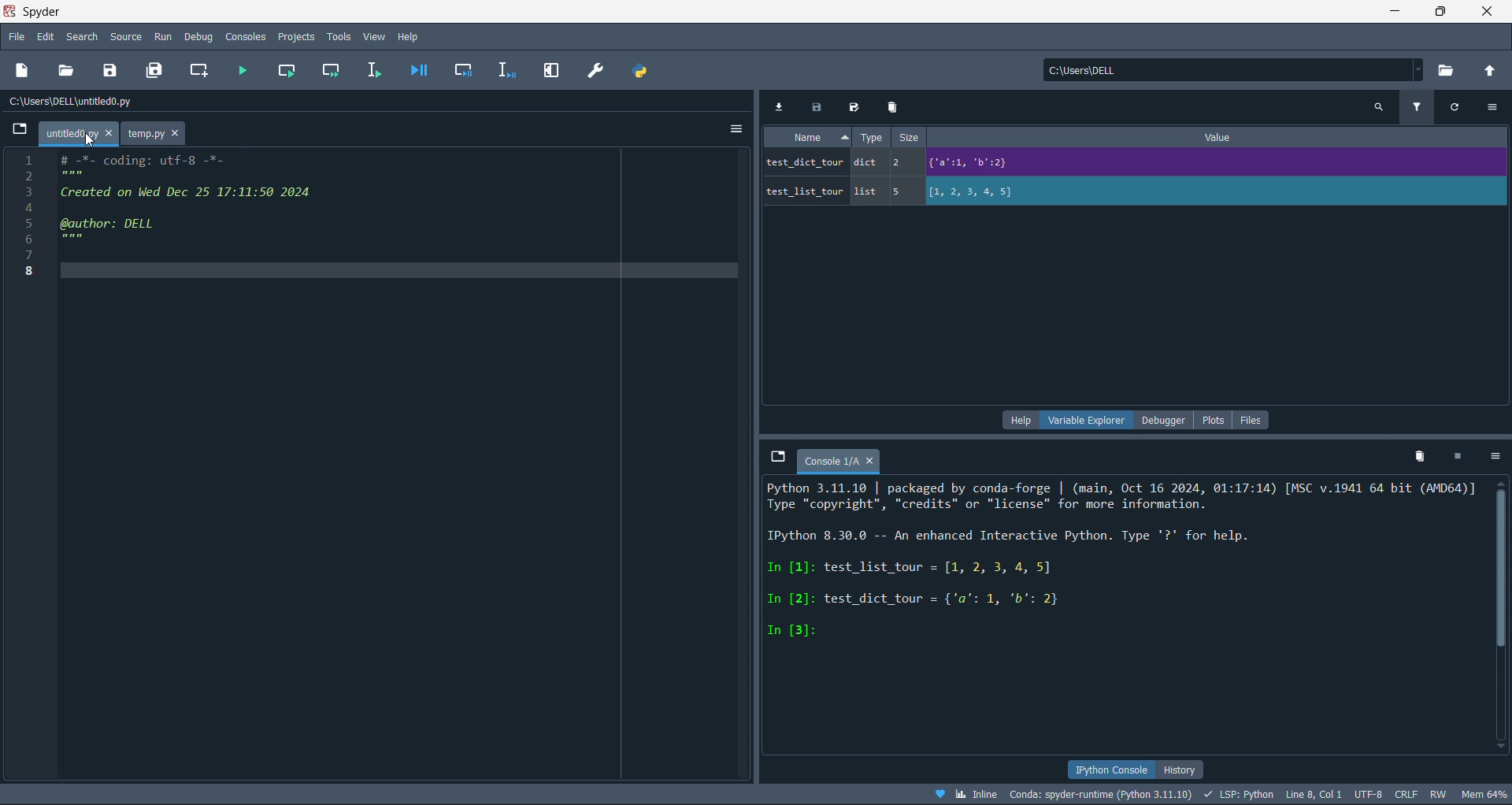 The width and height of the screenshot is (1512, 805). Describe the element at coordinates (339, 36) in the screenshot. I see `tools` at that location.